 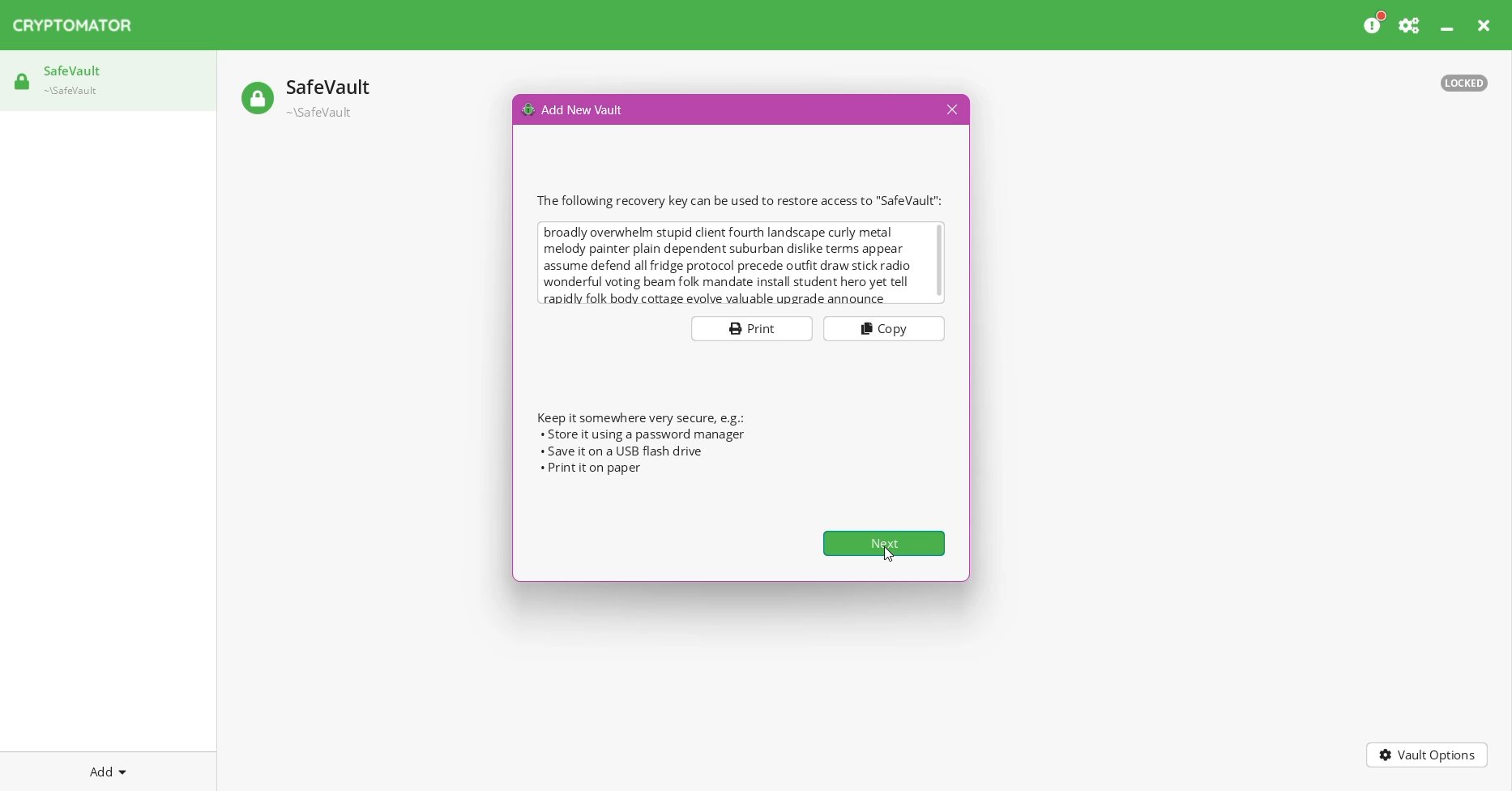 What do you see at coordinates (726, 263) in the screenshot?
I see `broadly overwhelm stupid client fourth landscape curly metal
melody painter plain dependent suburban dislike terms appear
assume defend all fridge protocol precede outfit draw stick radio
wonderful voting beam folk mandate install student hero yet tell
rapidlv folk body cottage evolve valuable upgrade announce` at bounding box center [726, 263].